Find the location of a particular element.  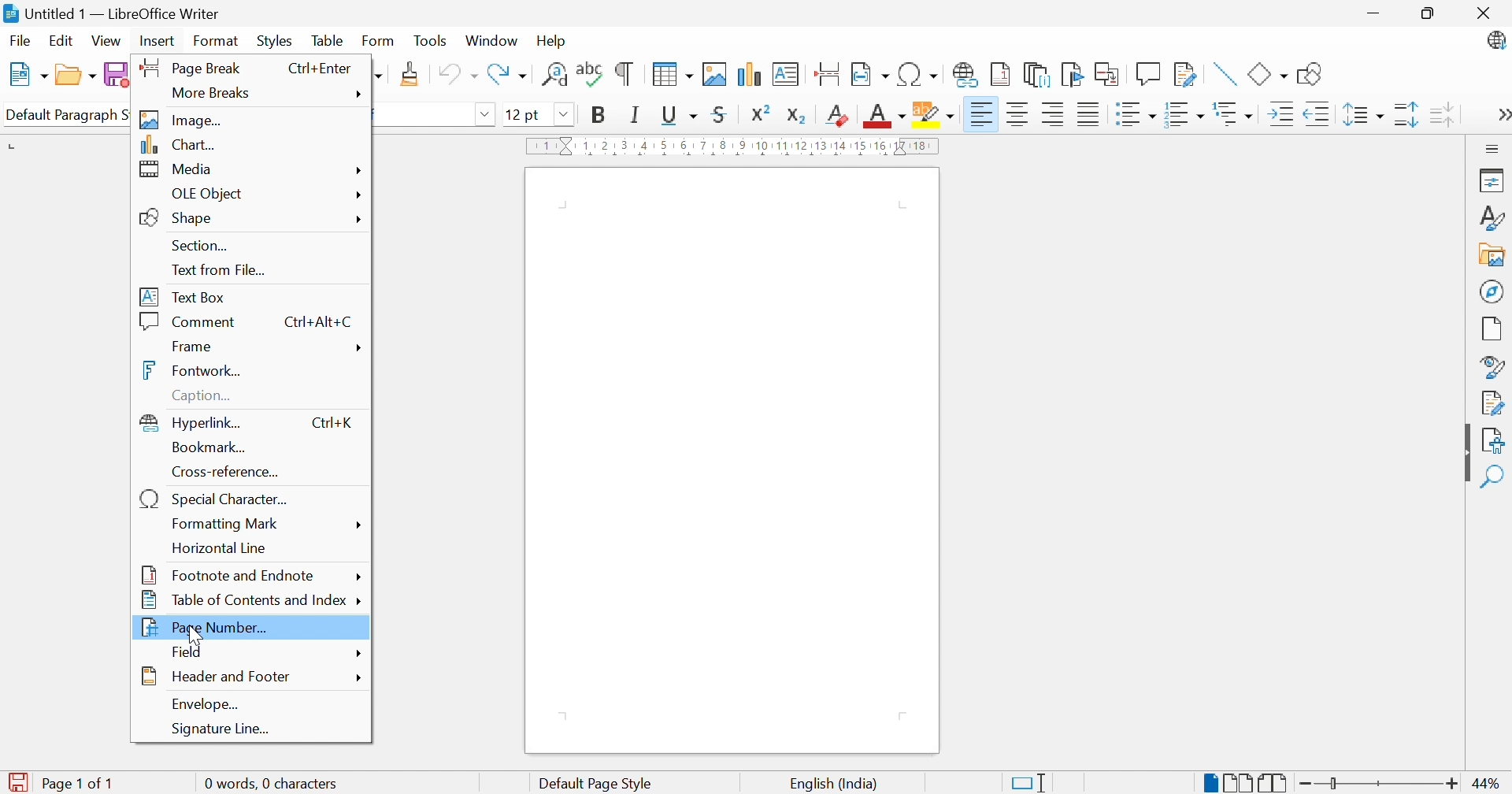

Font color is located at coordinates (886, 117).